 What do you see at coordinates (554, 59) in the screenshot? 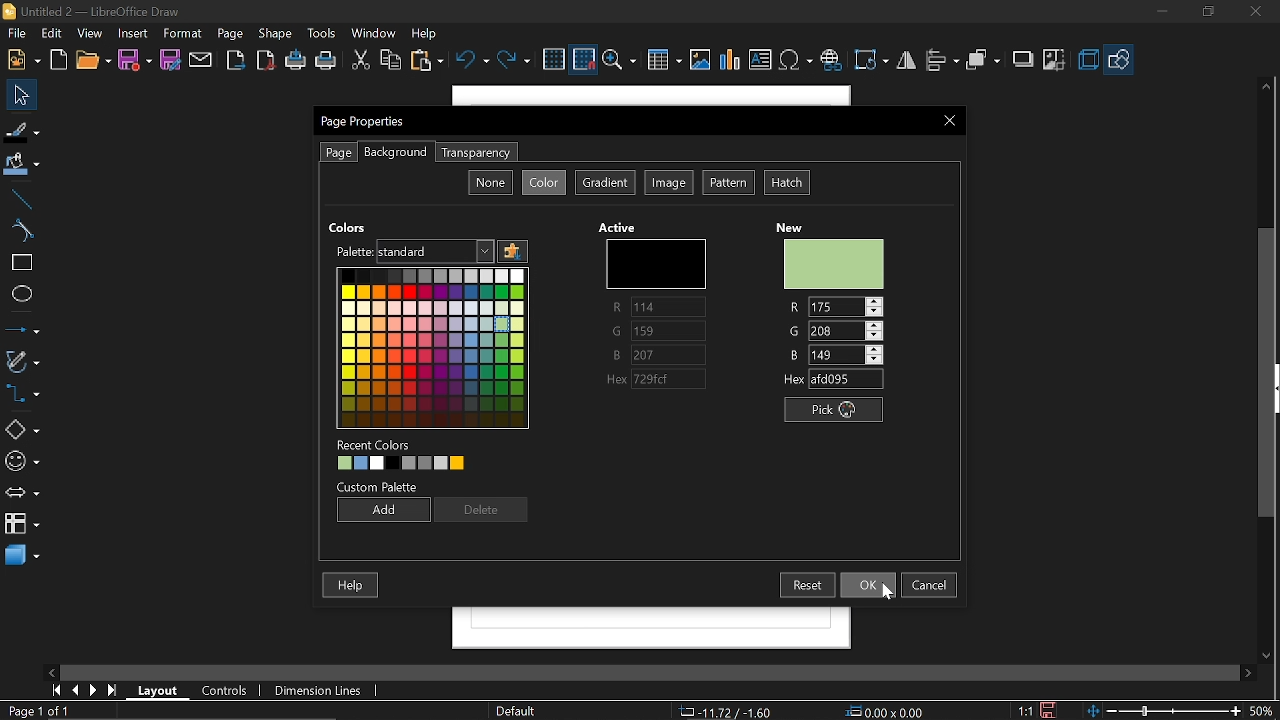
I see `grid` at bounding box center [554, 59].